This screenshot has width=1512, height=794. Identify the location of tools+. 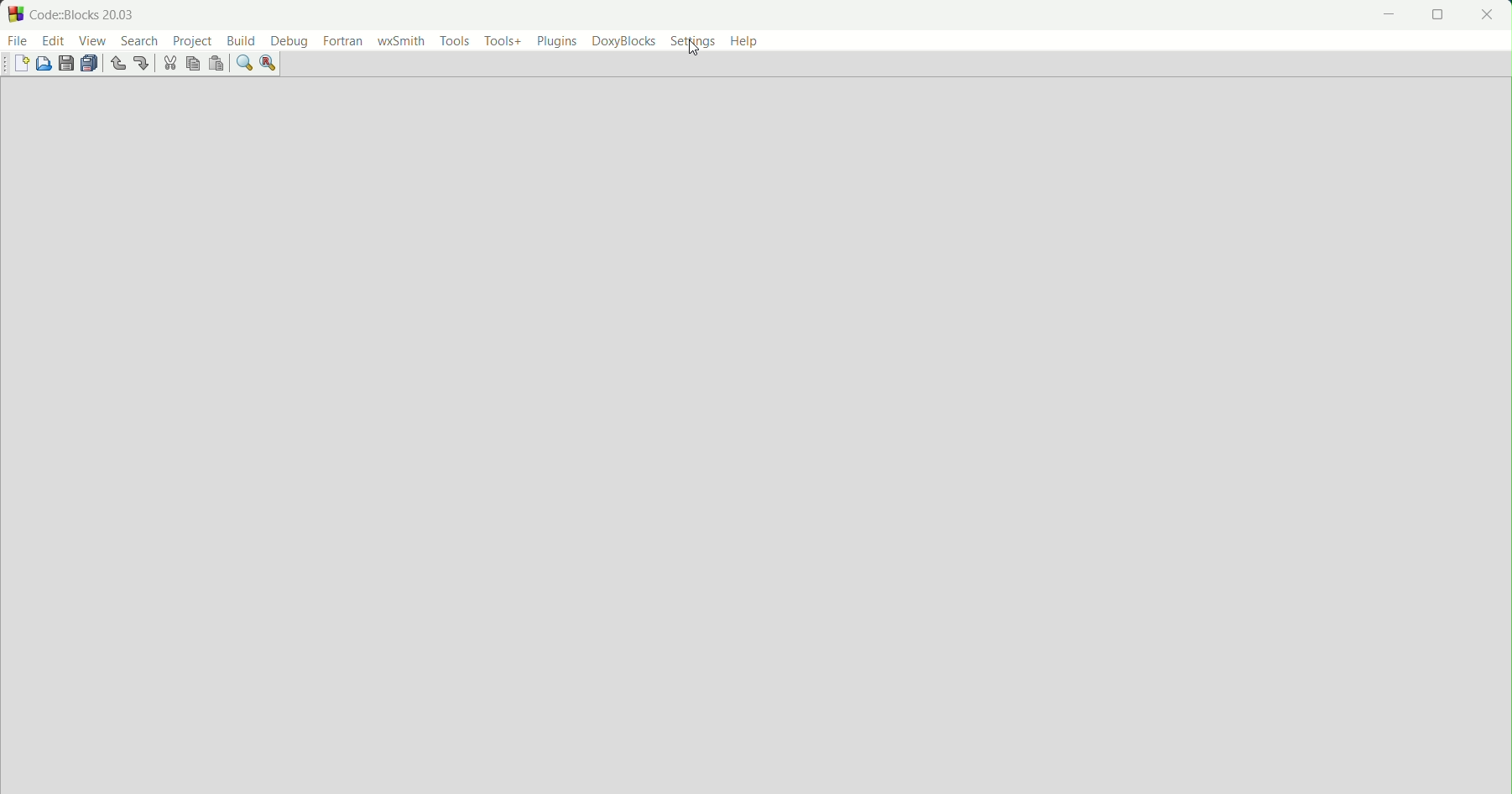
(500, 42).